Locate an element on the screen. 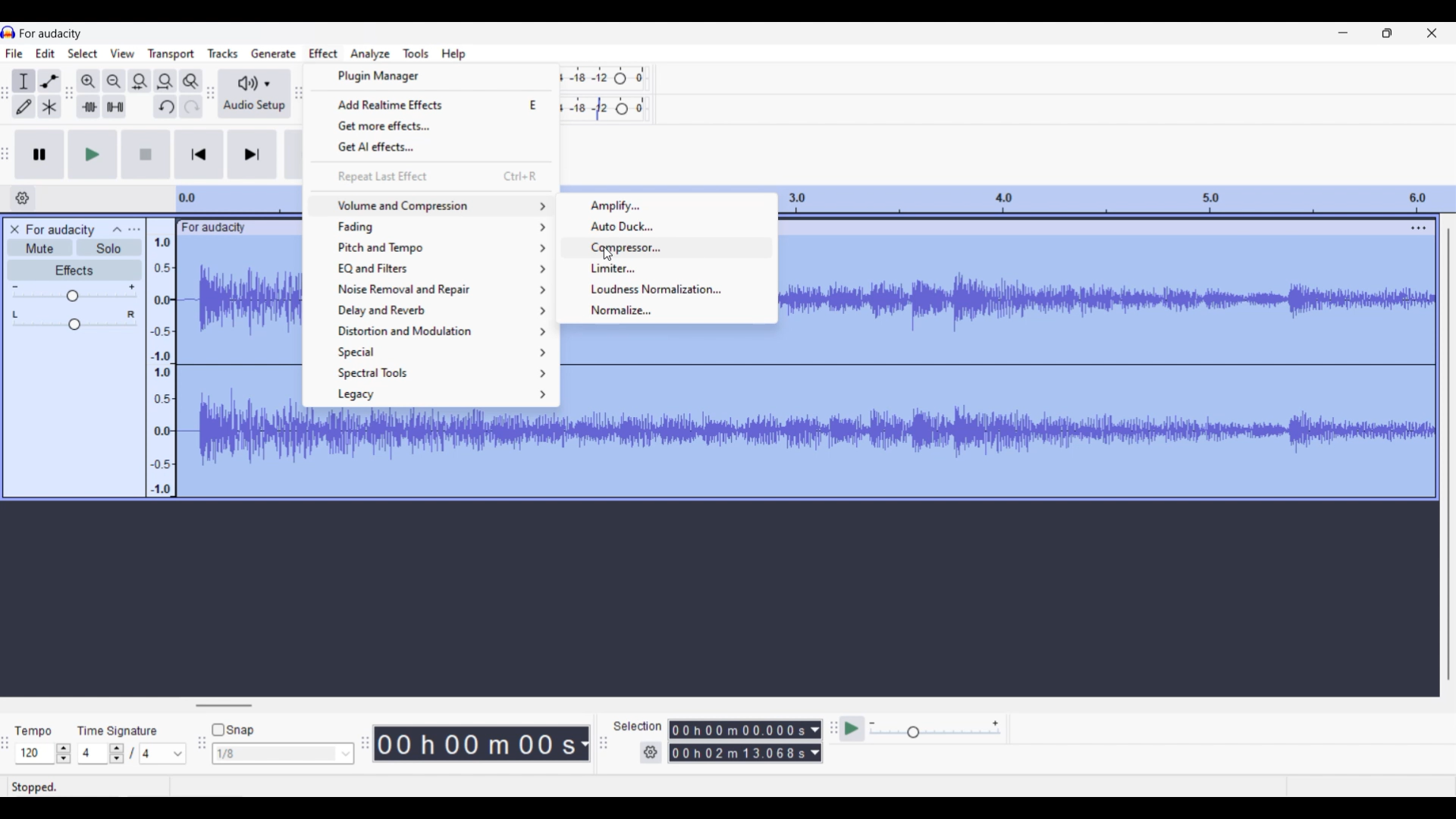 The height and width of the screenshot is (819, 1456). Stopped. is located at coordinates (187, 787).